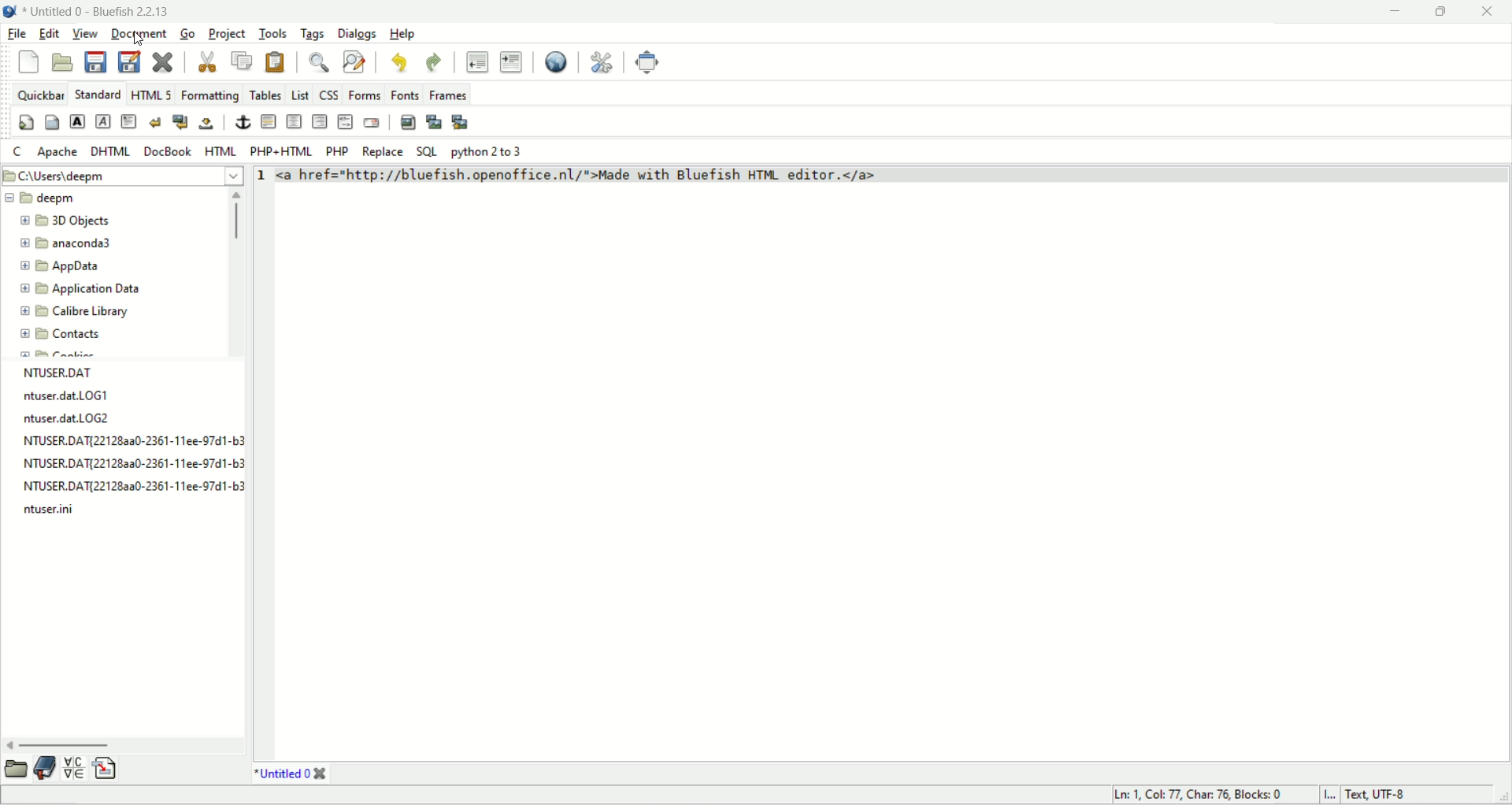 The image size is (1512, 805). I want to click on insert image, so click(408, 123).